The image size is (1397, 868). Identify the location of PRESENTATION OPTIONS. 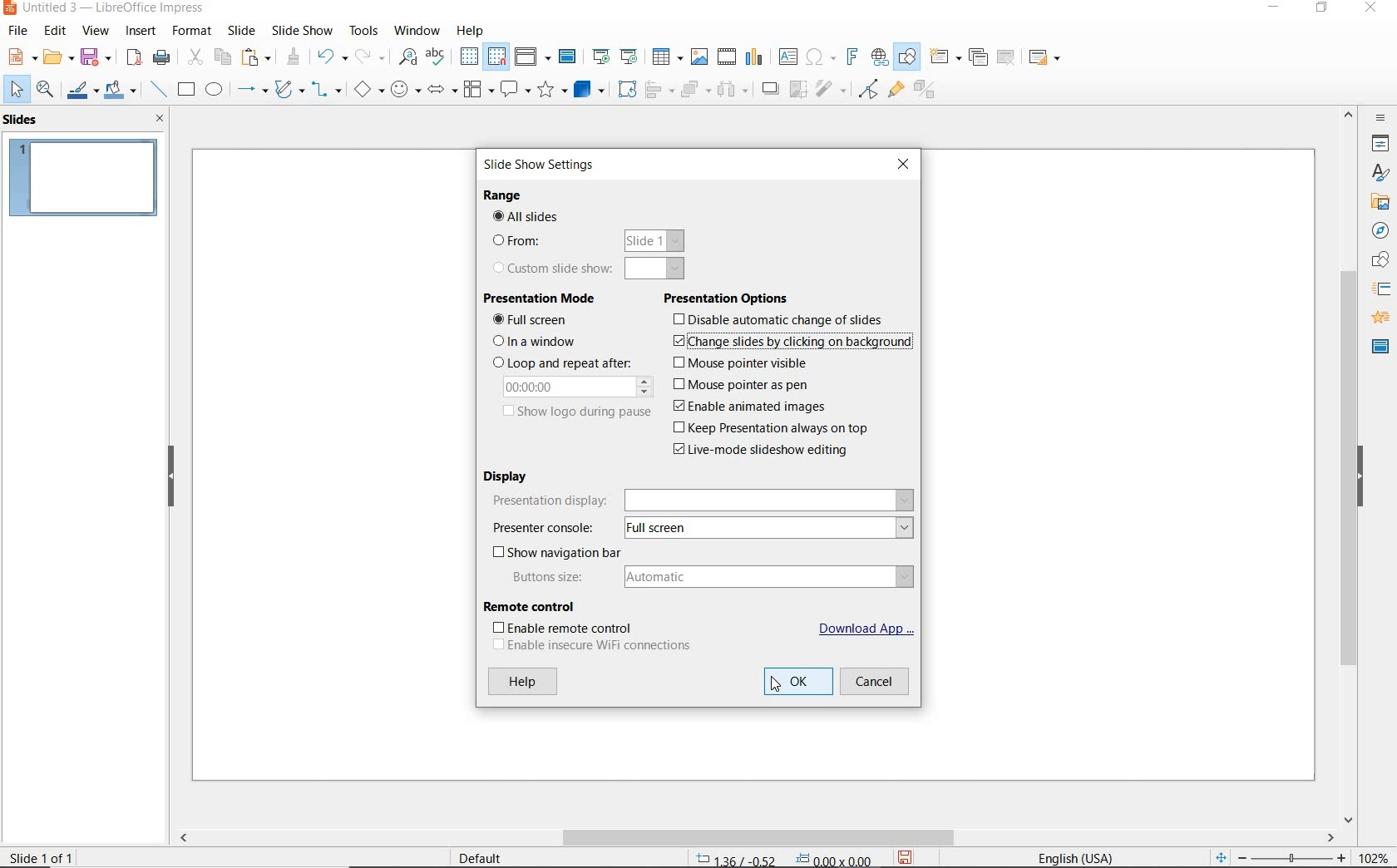
(726, 298).